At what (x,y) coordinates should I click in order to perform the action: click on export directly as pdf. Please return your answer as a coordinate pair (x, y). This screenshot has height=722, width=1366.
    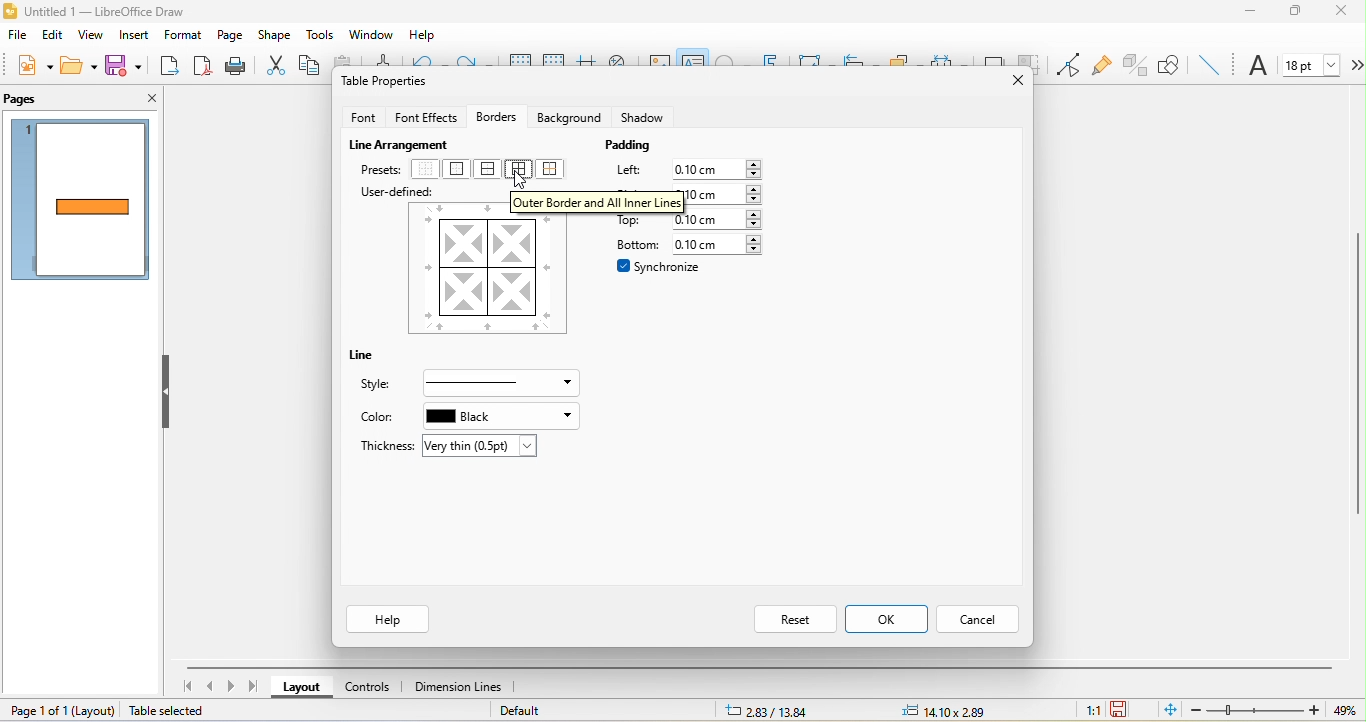
    Looking at the image, I should click on (202, 65).